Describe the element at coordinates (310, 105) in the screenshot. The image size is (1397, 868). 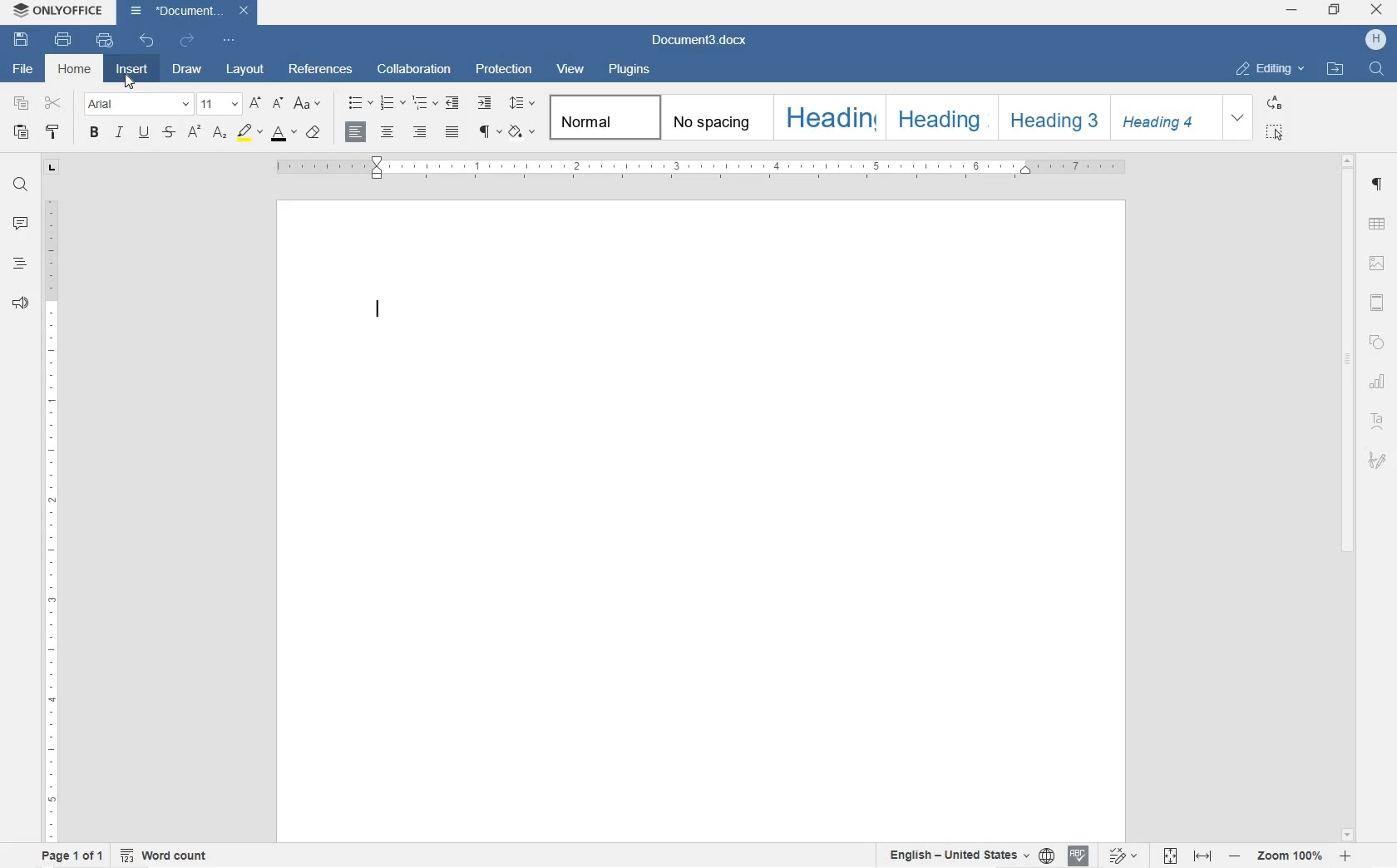
I see `CHANGE CASE` at that location.